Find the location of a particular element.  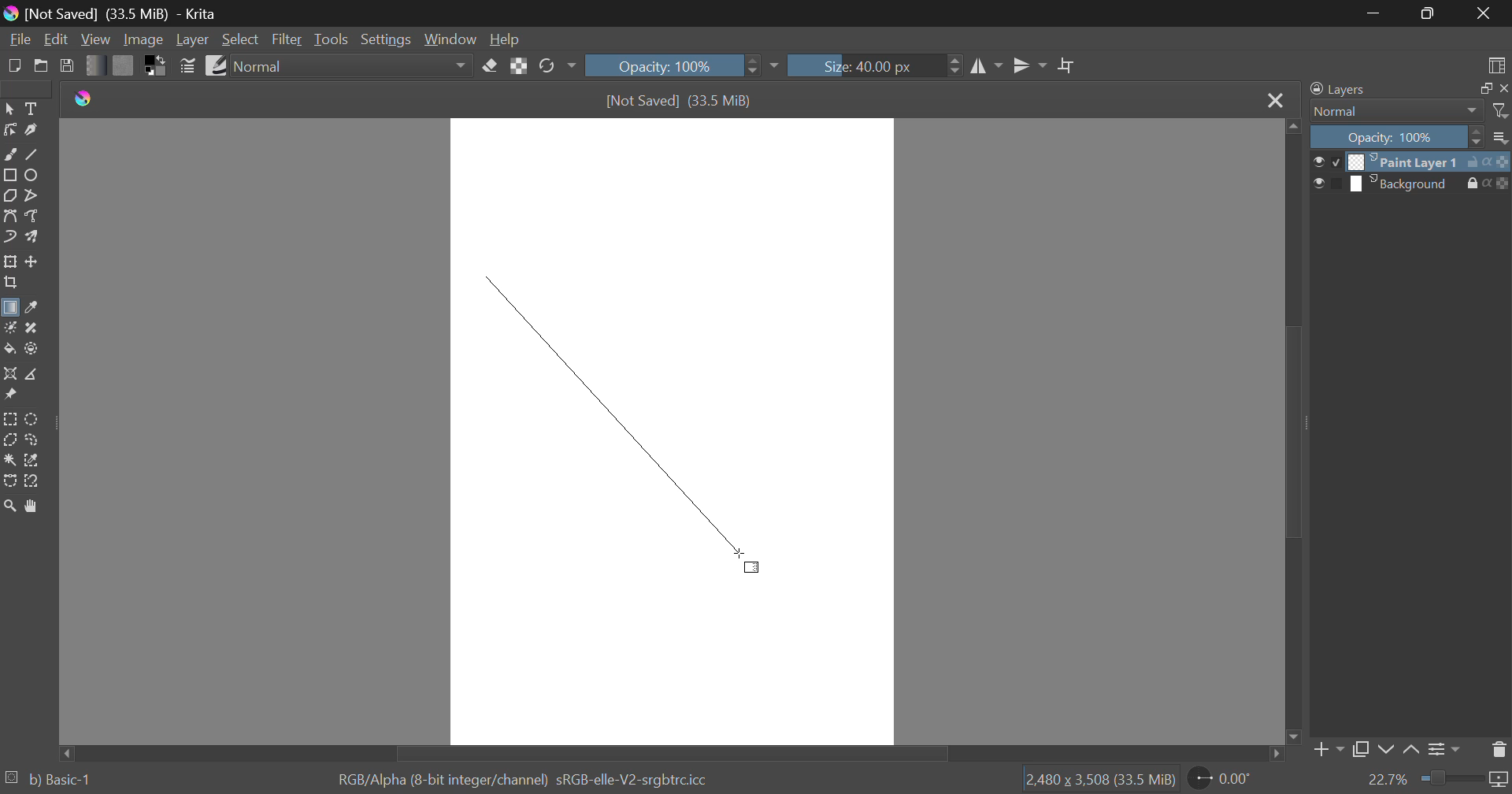

Calligraphic Line is located at coordinates (30, 130).